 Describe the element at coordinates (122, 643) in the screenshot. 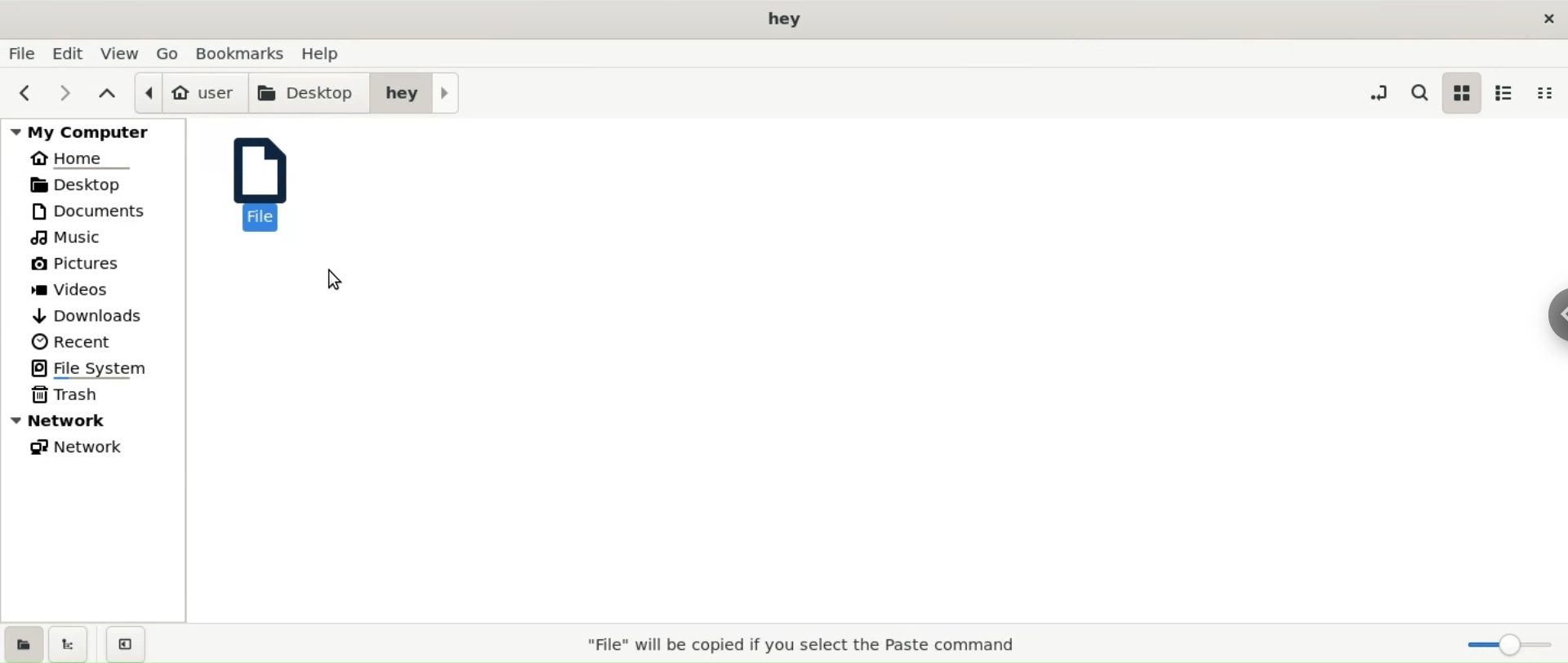

I see `close sidebar` at that location.